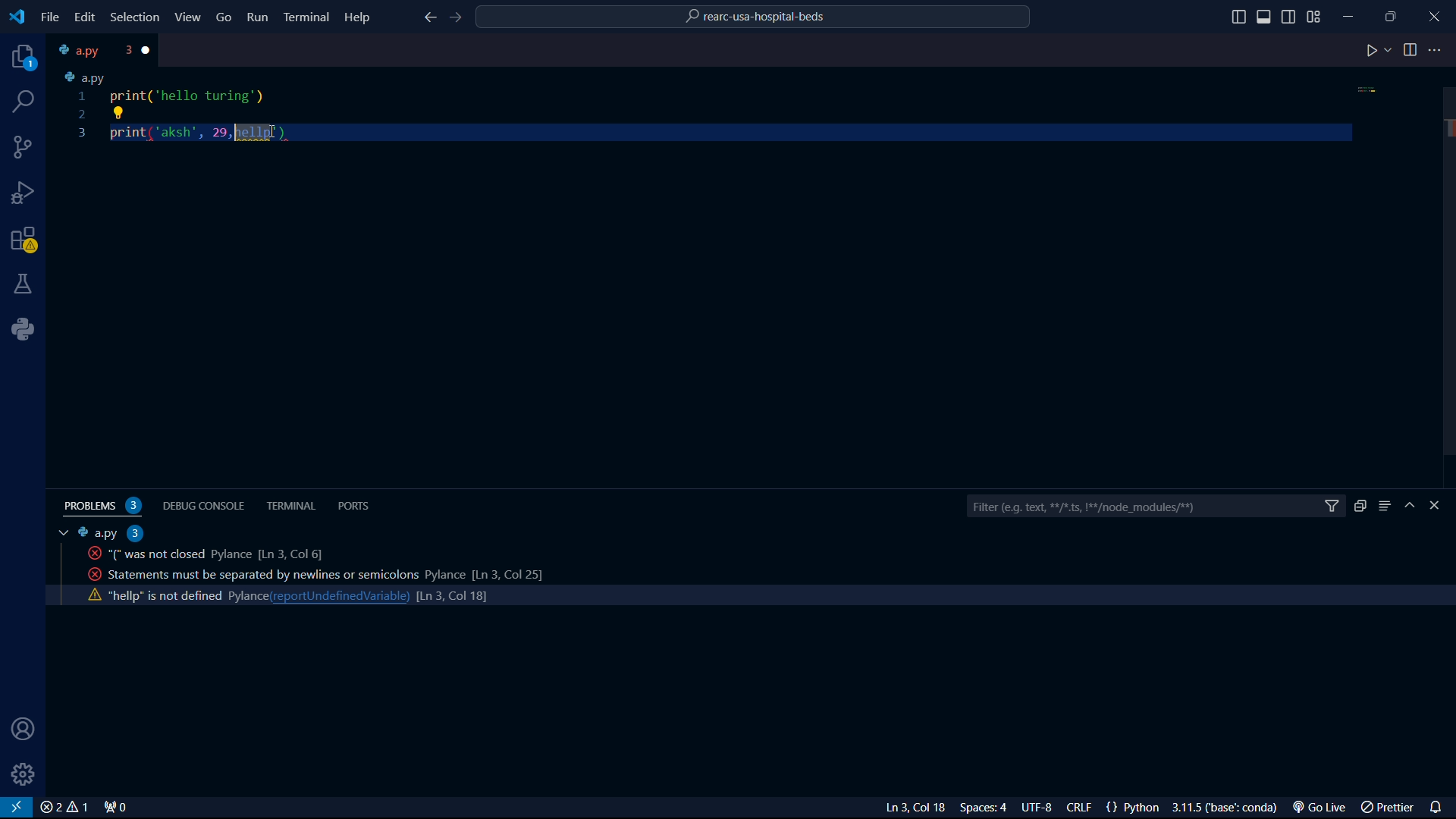  Describe the element at coordinates (24, 242) in the screenshot. I see `warning` at that location.